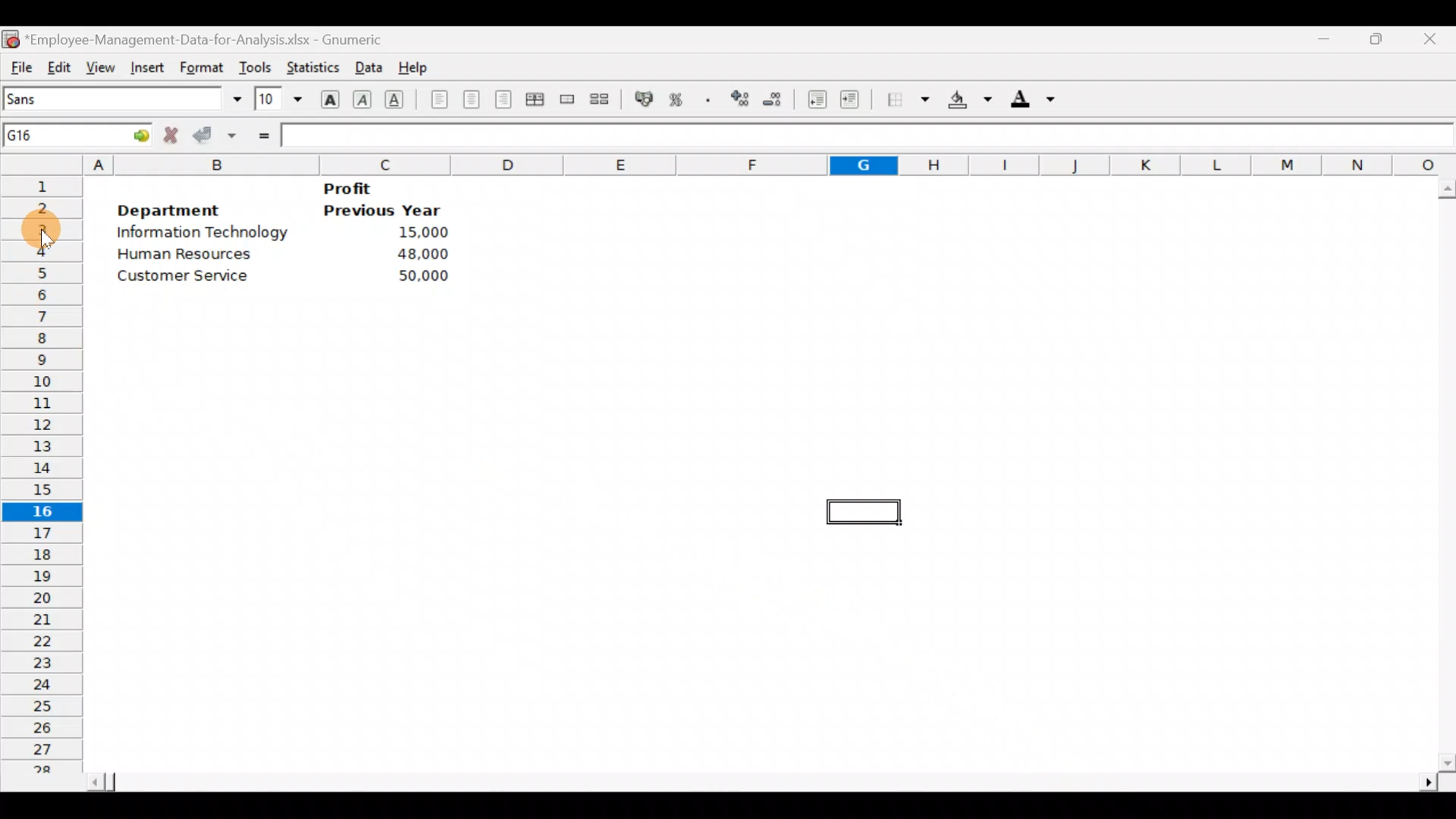 The image size is (1456, 819). Describe the element at coordinates (1435, 40) in the screenshot. I see `Close` at that location.